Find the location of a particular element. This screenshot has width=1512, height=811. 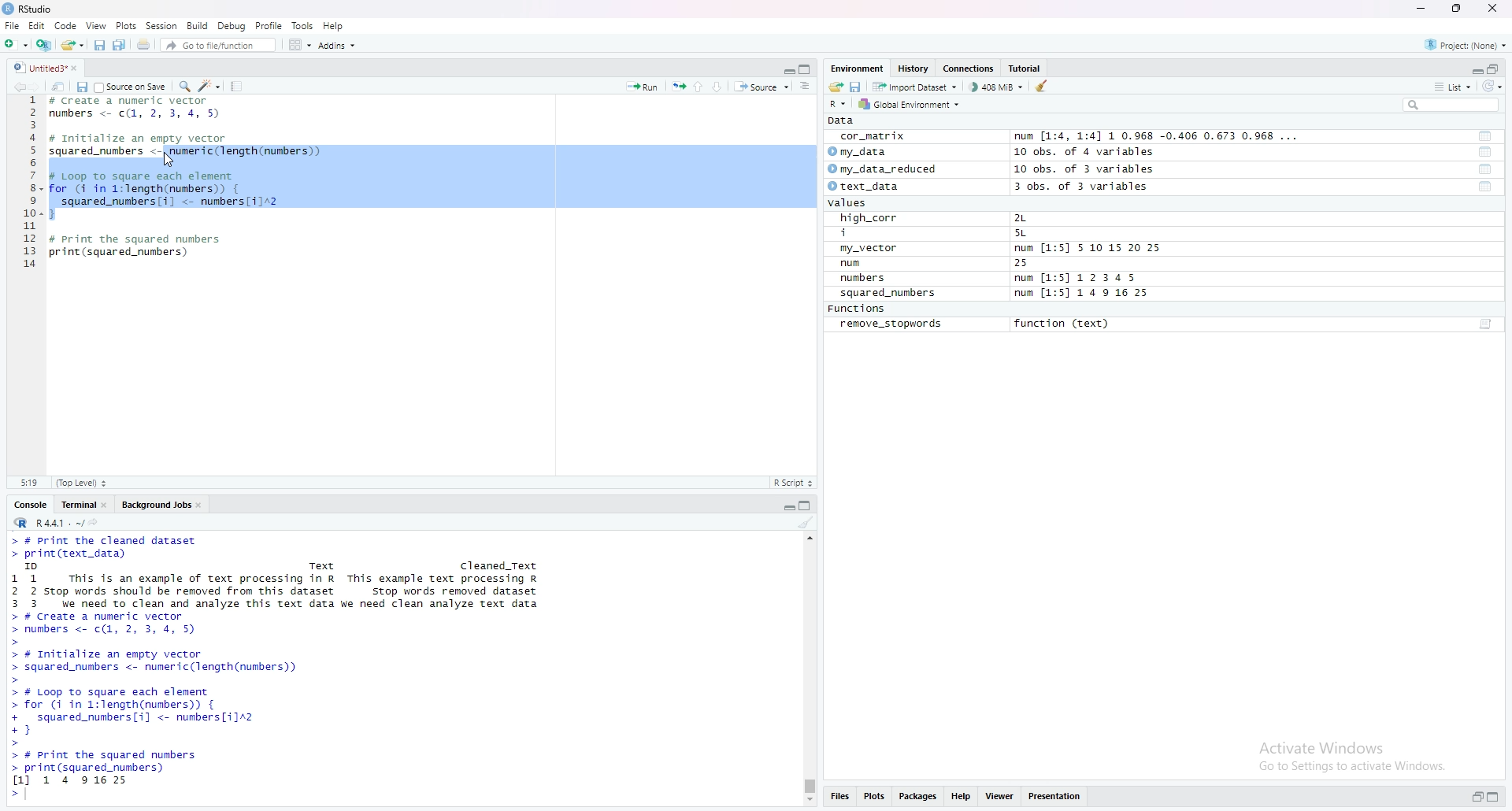

Load Workspace is located at coordinates (836, 85).